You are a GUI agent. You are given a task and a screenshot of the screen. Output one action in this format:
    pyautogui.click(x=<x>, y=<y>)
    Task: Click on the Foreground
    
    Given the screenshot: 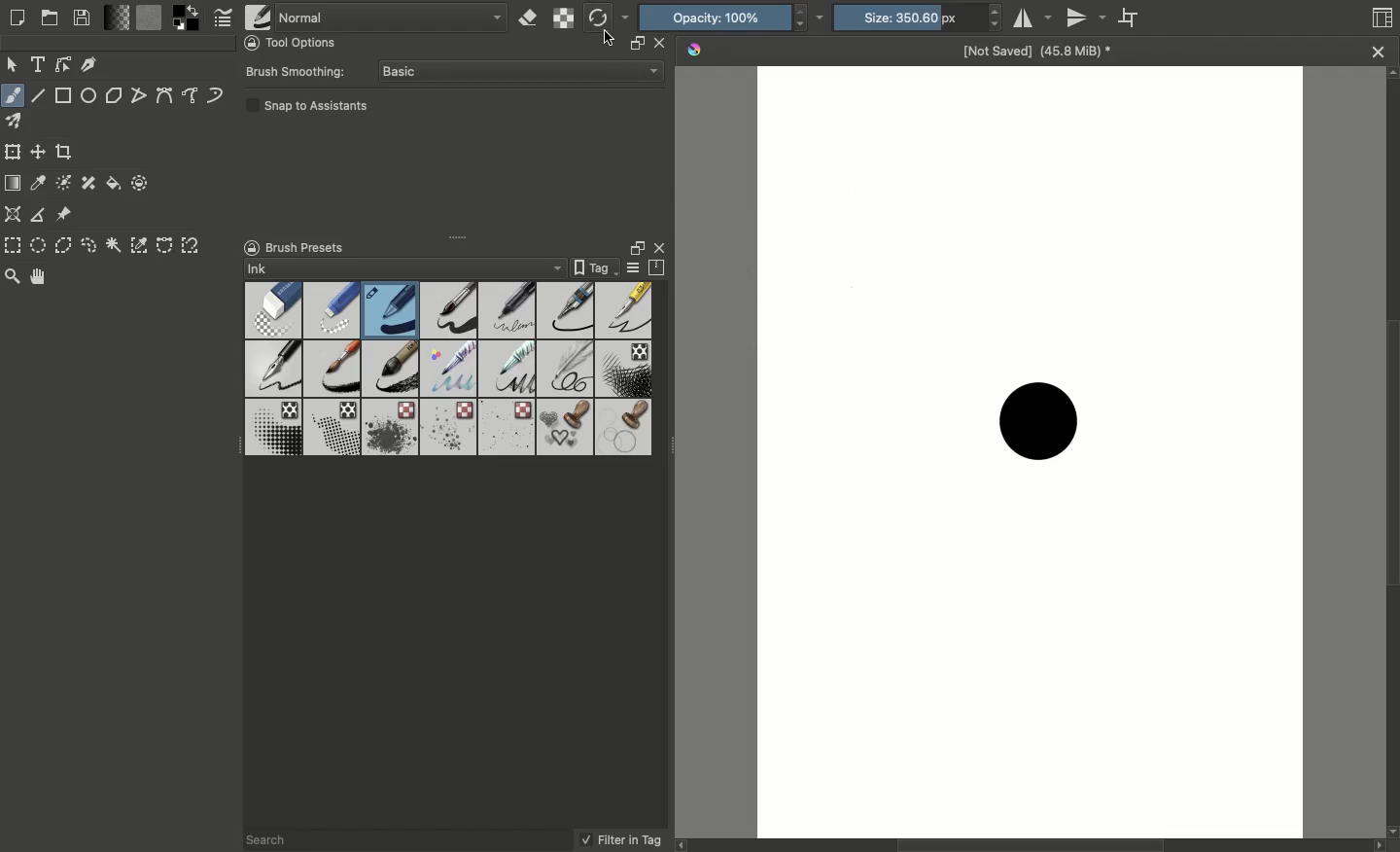 What is the action you would take?
    pyautogui.click(x=191, y=18)
    